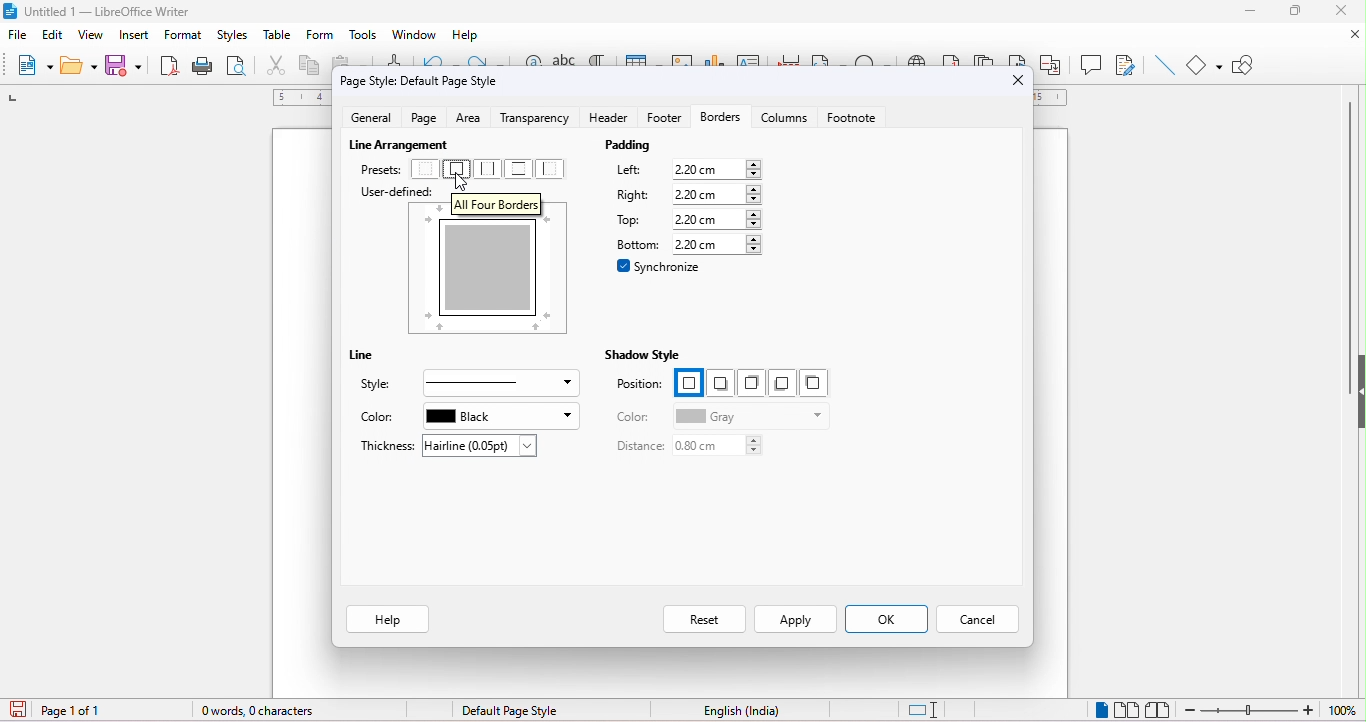 This screenshot has height=722, width=1366. Describe the element at coordinates (1345, 710) in the screenshot. I see `zoom factor` at that location.